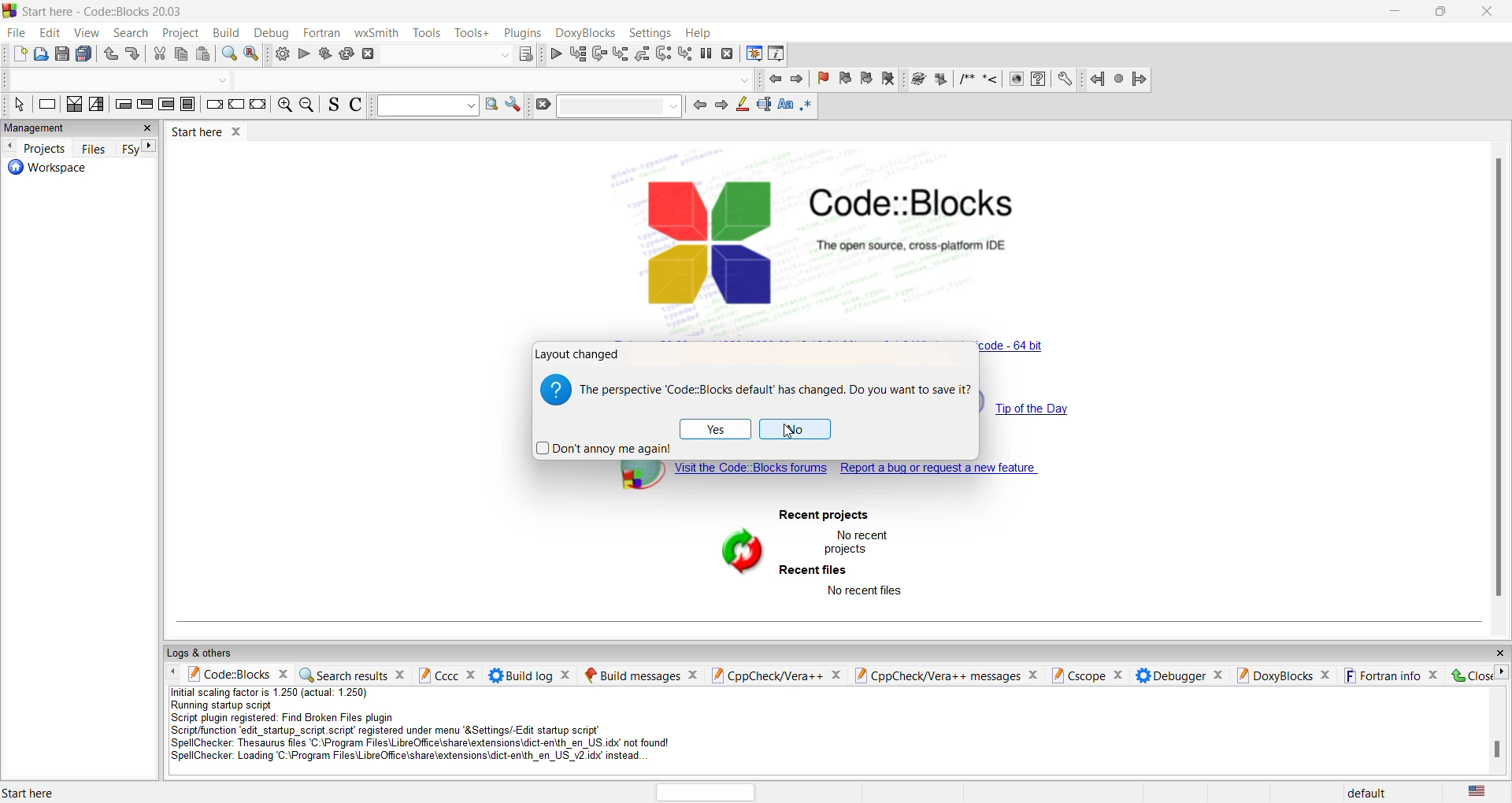  Describe the element at coordinates (795, 428) in the screenshot. I see `No` at that location.